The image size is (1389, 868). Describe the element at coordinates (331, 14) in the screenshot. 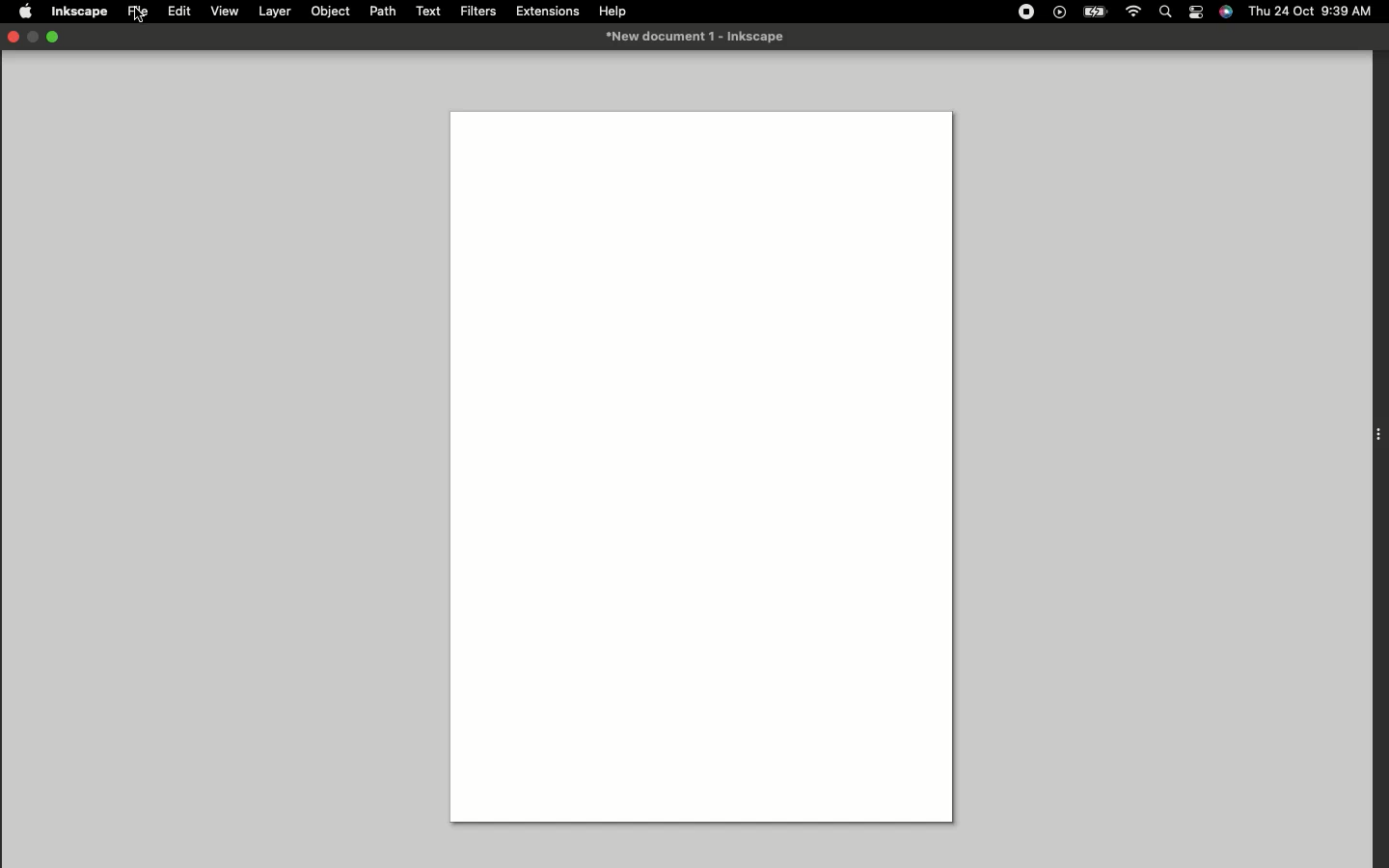

I see `Object` at that location.